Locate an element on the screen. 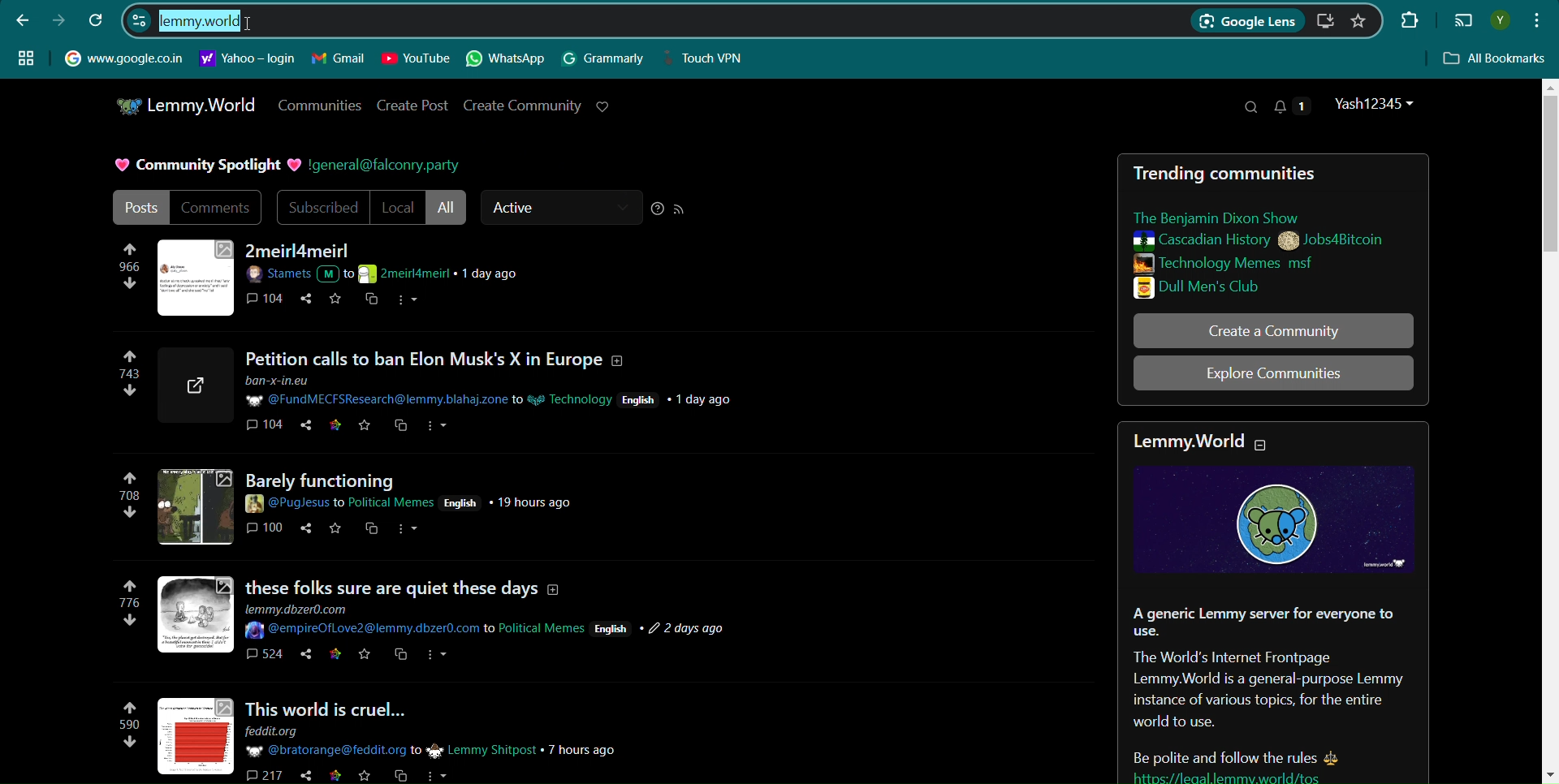 The width and height of the screenshot is (1559, 784). All Bookmarks is located at coordinates (1496, 59).